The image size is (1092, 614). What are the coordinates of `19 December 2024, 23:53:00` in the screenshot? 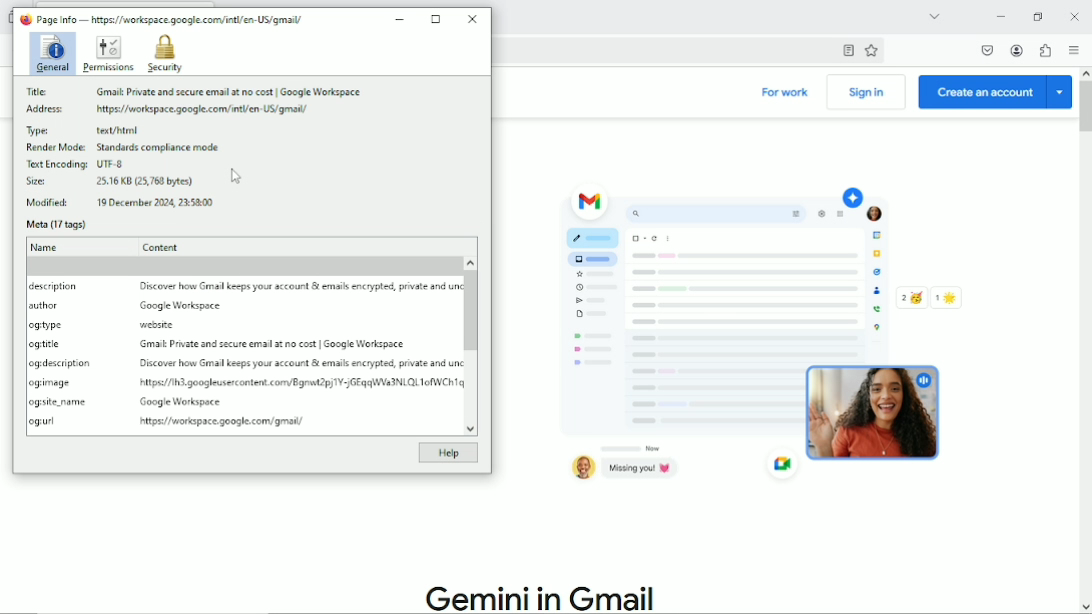 It's located at (156, 202).